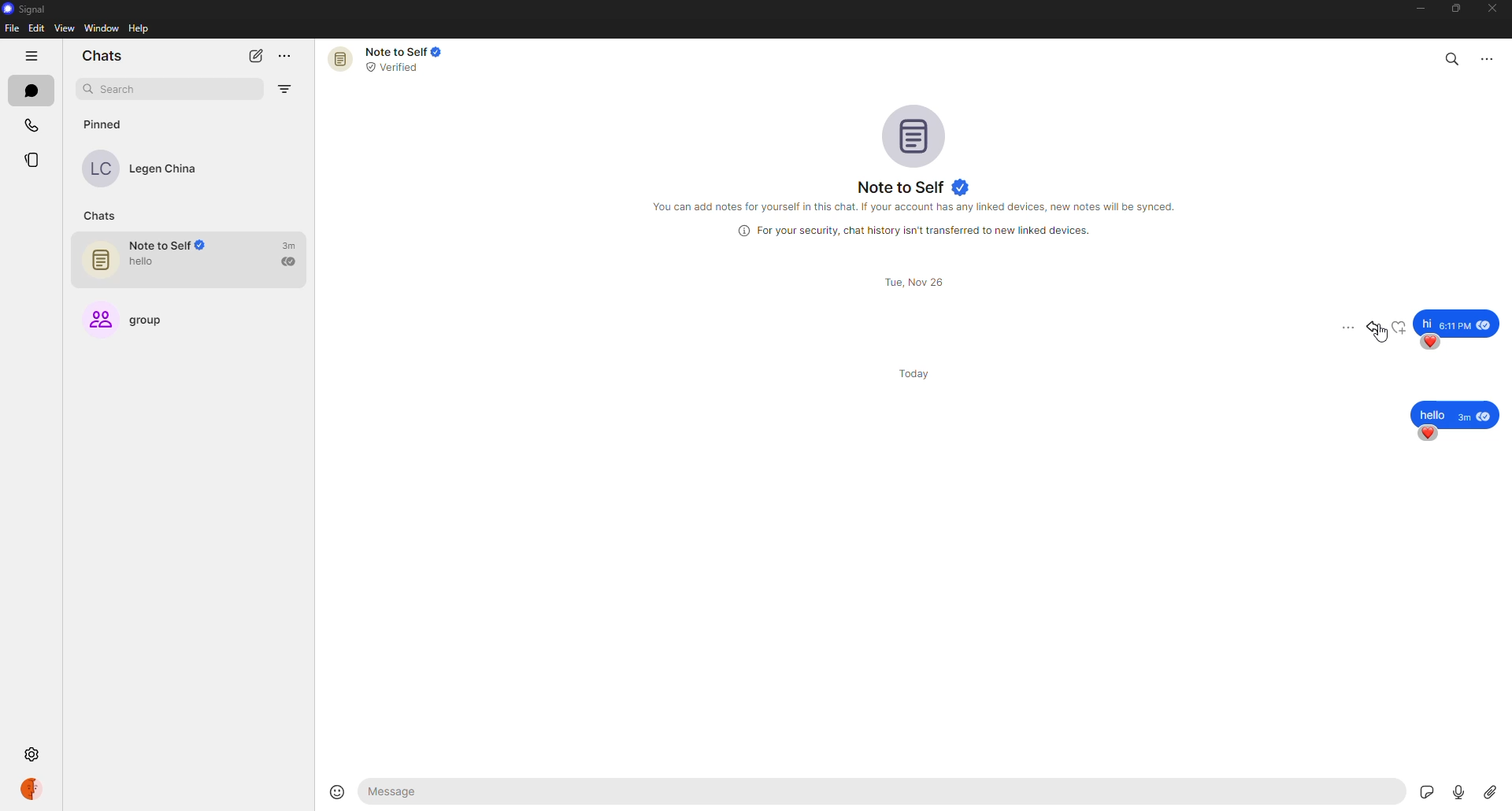 The image size is (1512, 811). I want to click on help, so click(138, 29).